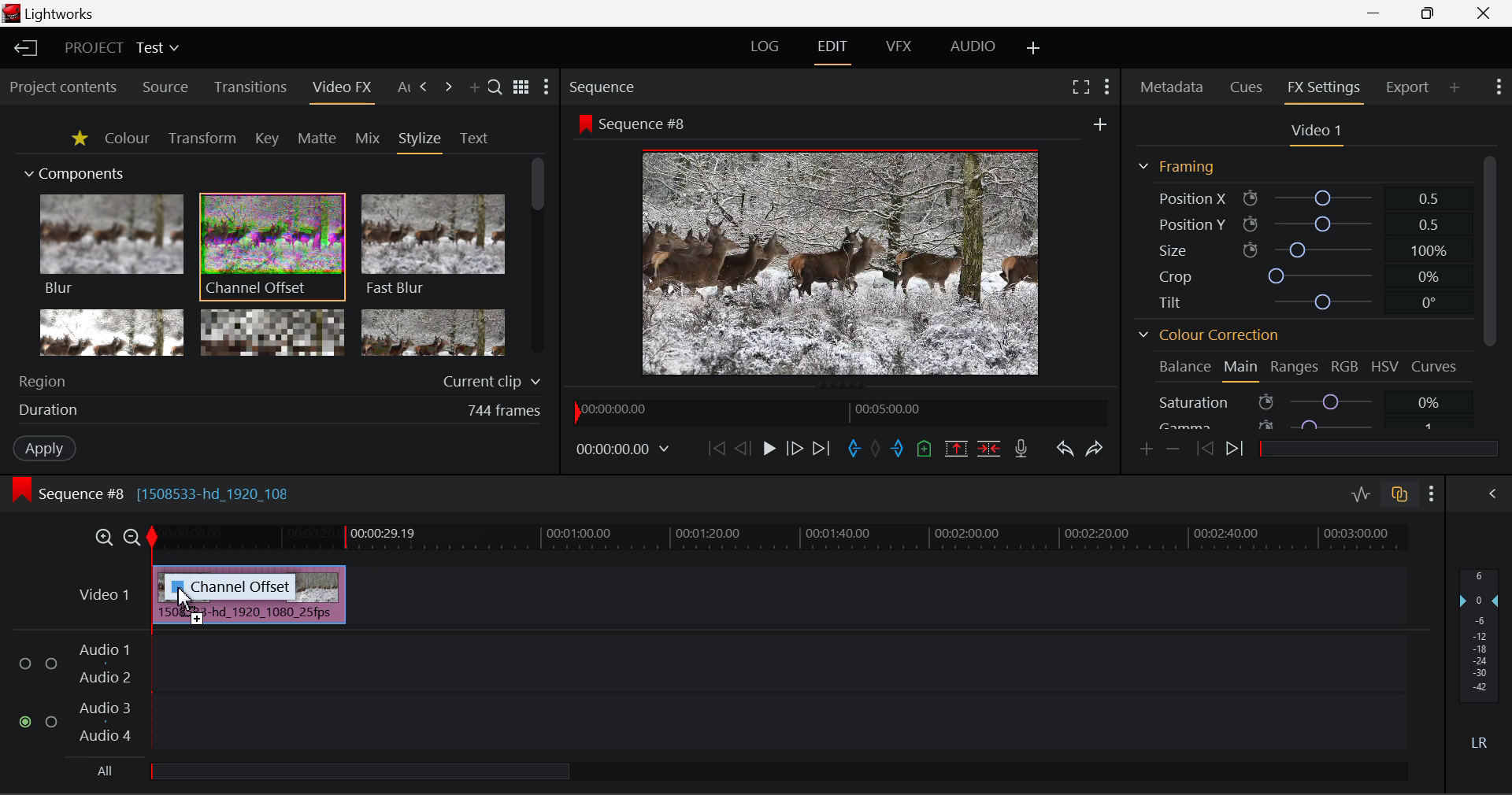  I want to click on Add Panel, so click(1454, 88).